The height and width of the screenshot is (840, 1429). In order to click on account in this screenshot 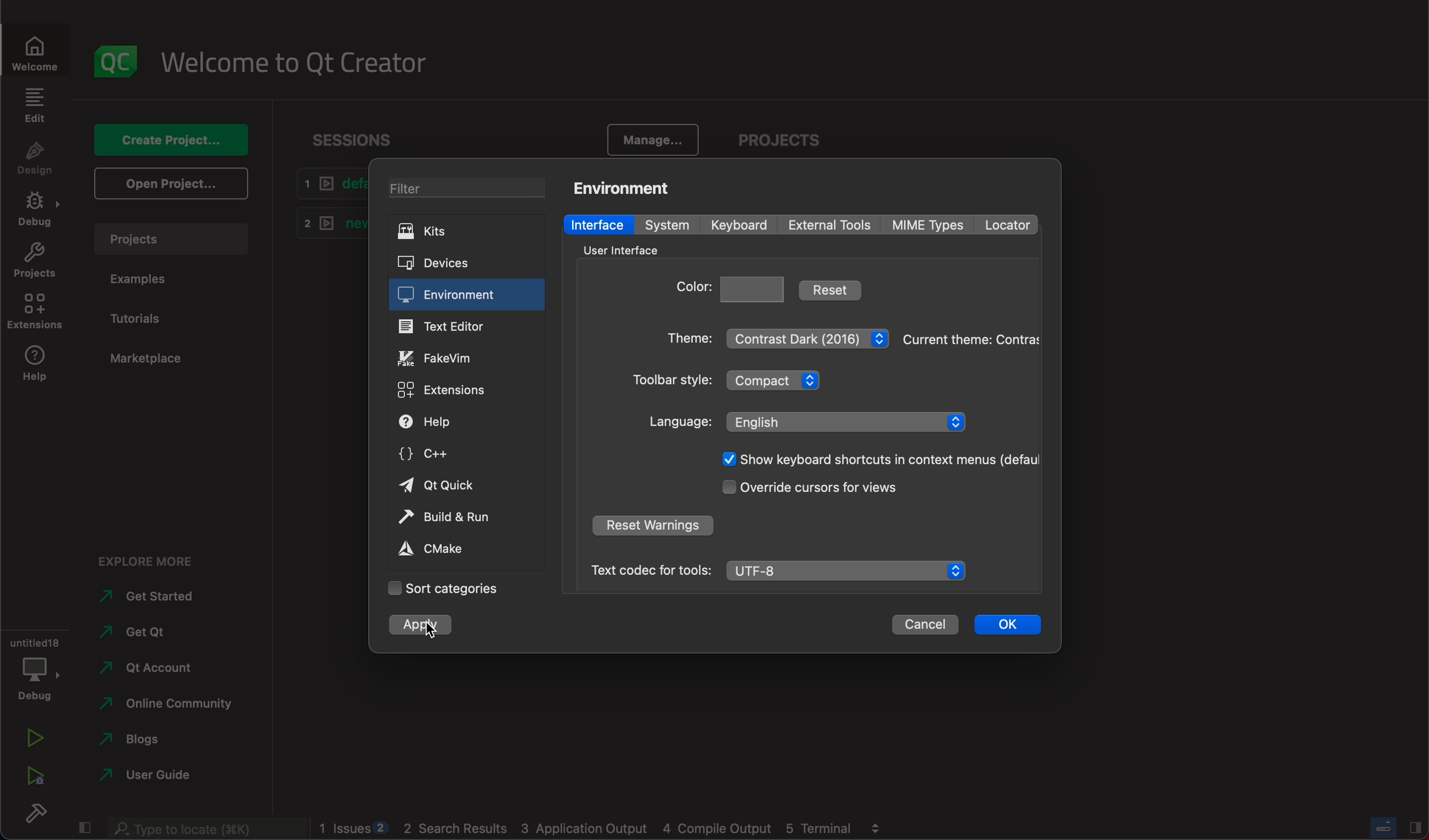, I will do `click(160, 666)`.